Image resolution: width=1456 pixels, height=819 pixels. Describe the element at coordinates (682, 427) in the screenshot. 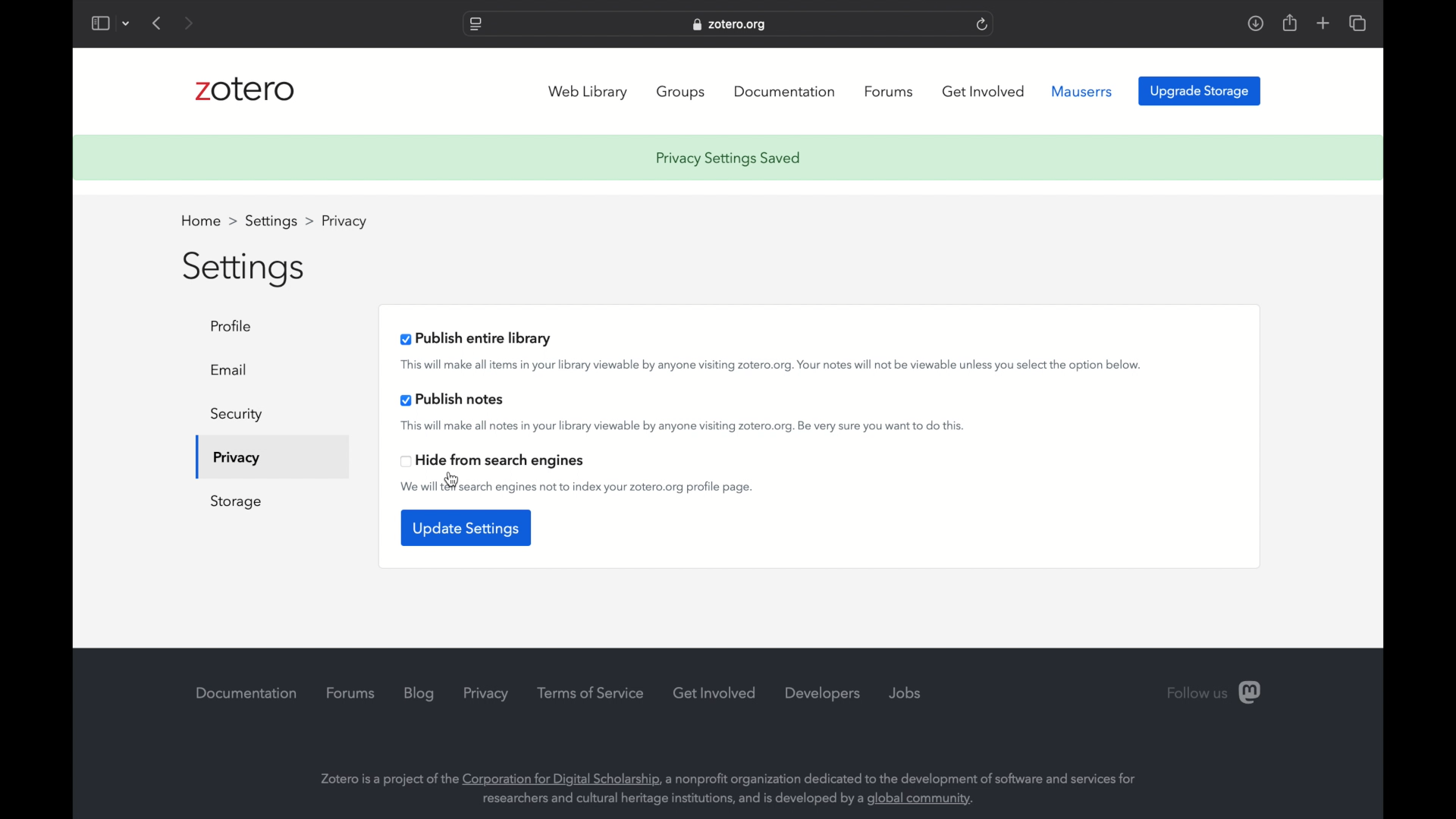

I see `this will make all notes inn your library viewable` at that location.